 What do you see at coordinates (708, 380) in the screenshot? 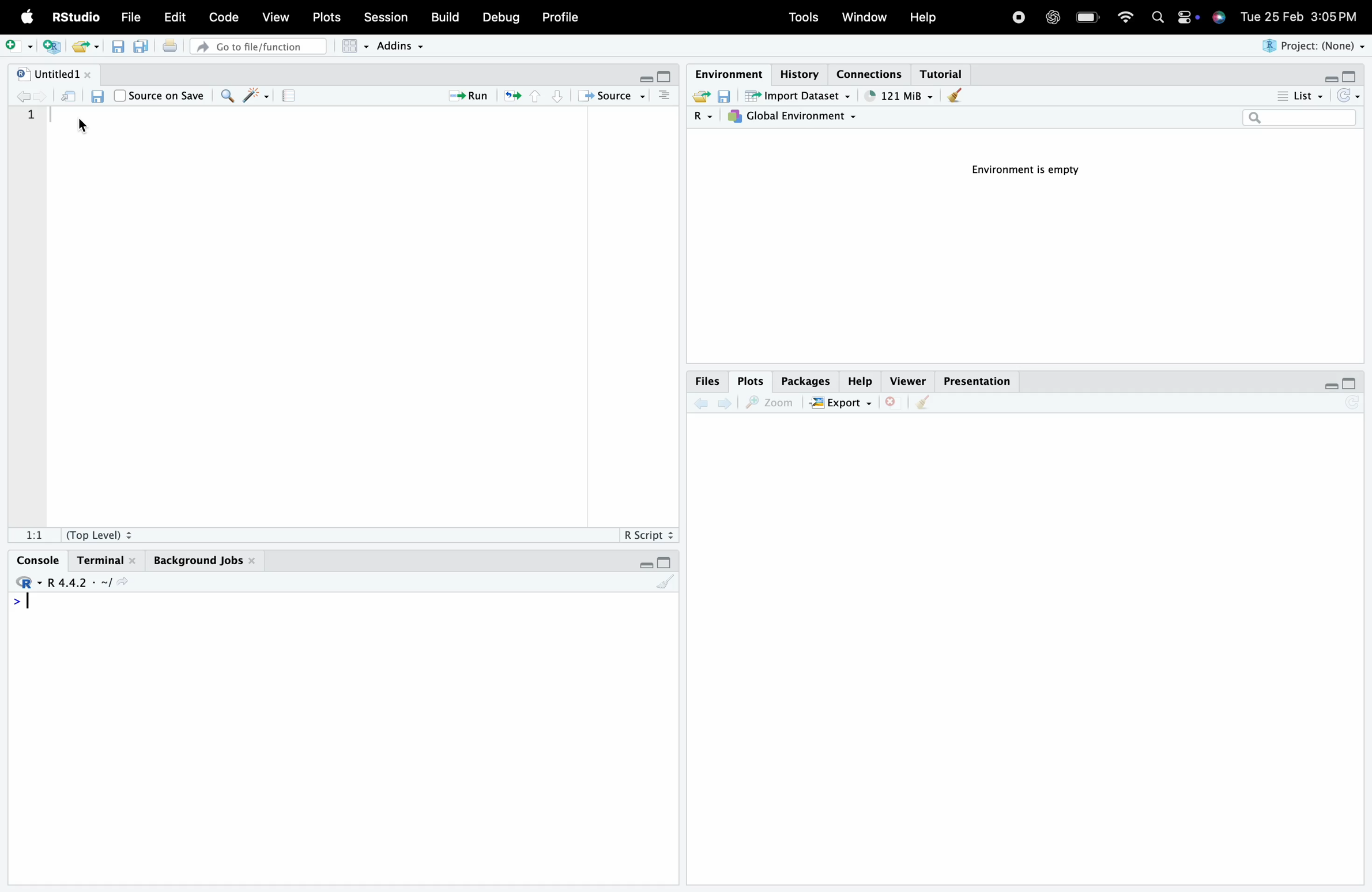
I see `Files` at bounding box center [708, 380].